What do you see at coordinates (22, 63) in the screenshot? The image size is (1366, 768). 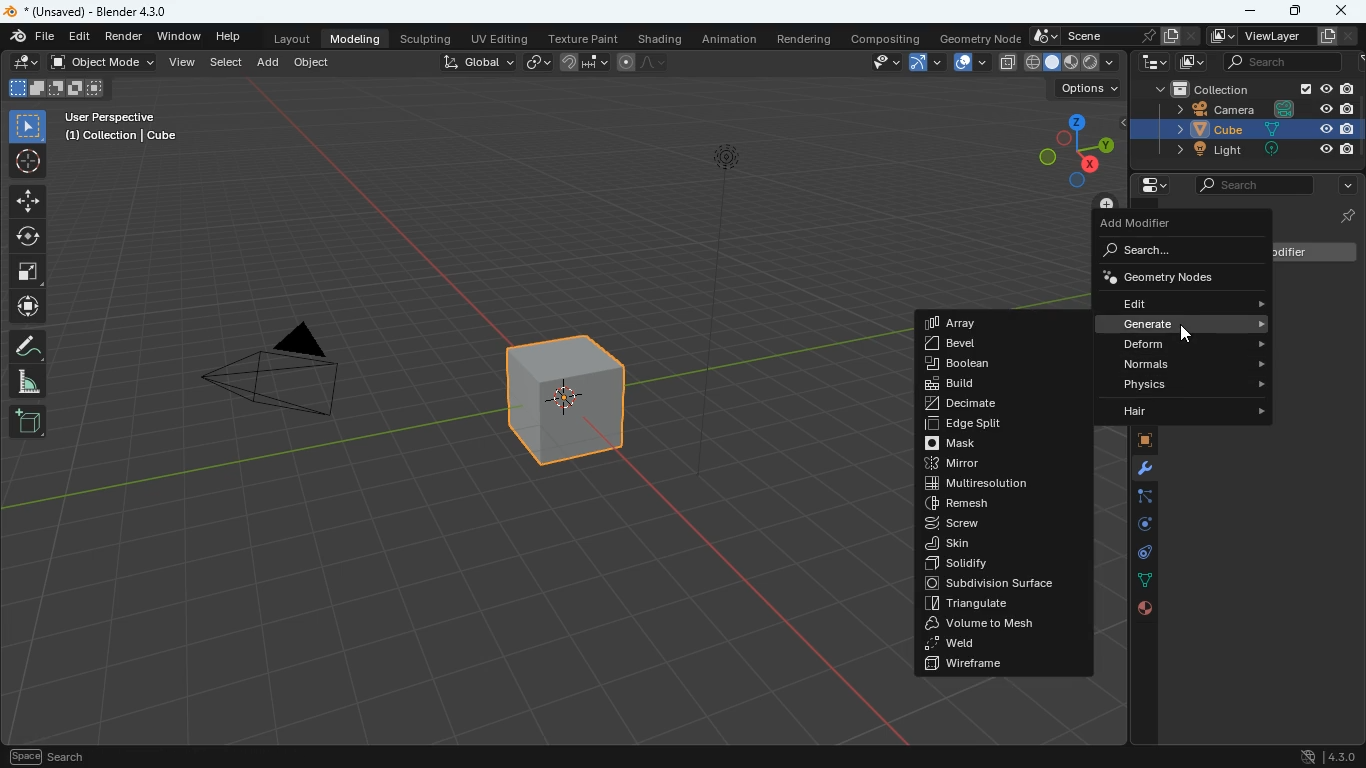 I see `edit` at bounding box center [22, 63].